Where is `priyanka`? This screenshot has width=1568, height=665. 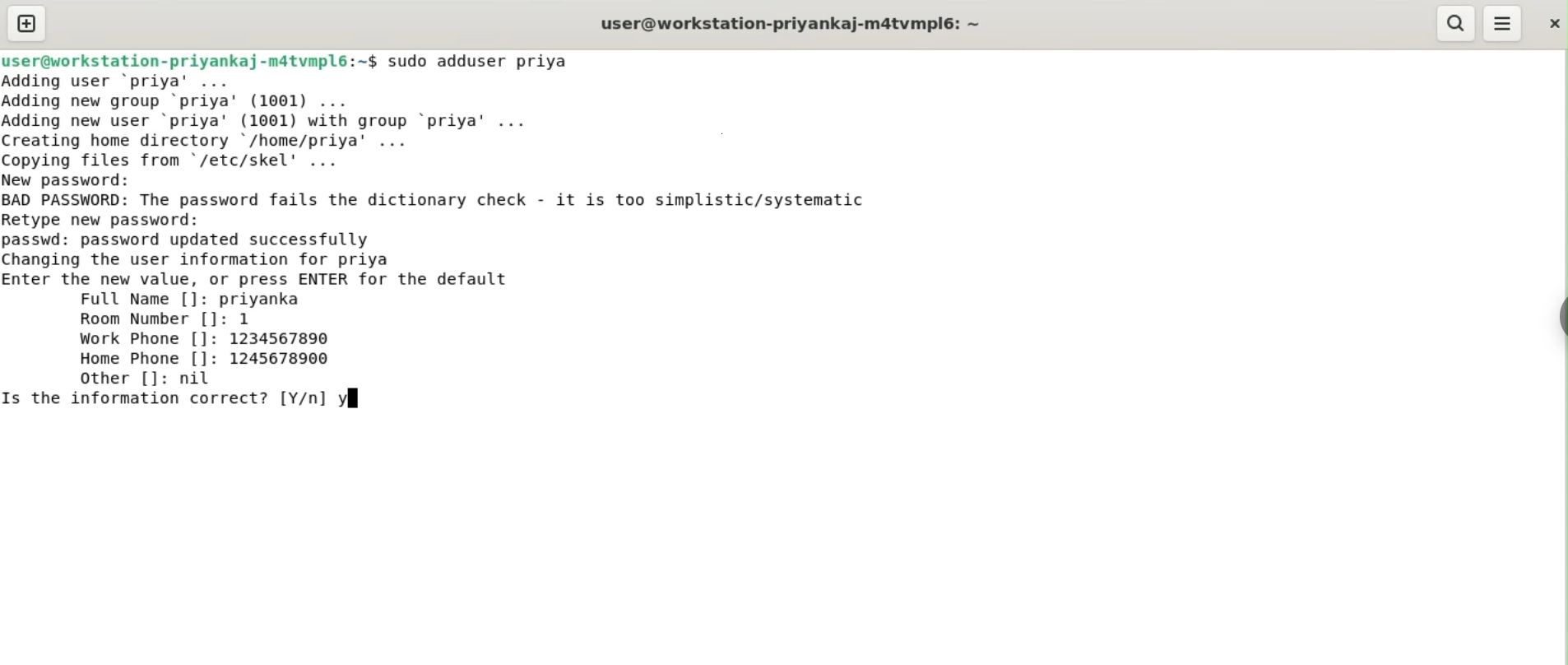
priyanka is located at coordinates (264, 299).